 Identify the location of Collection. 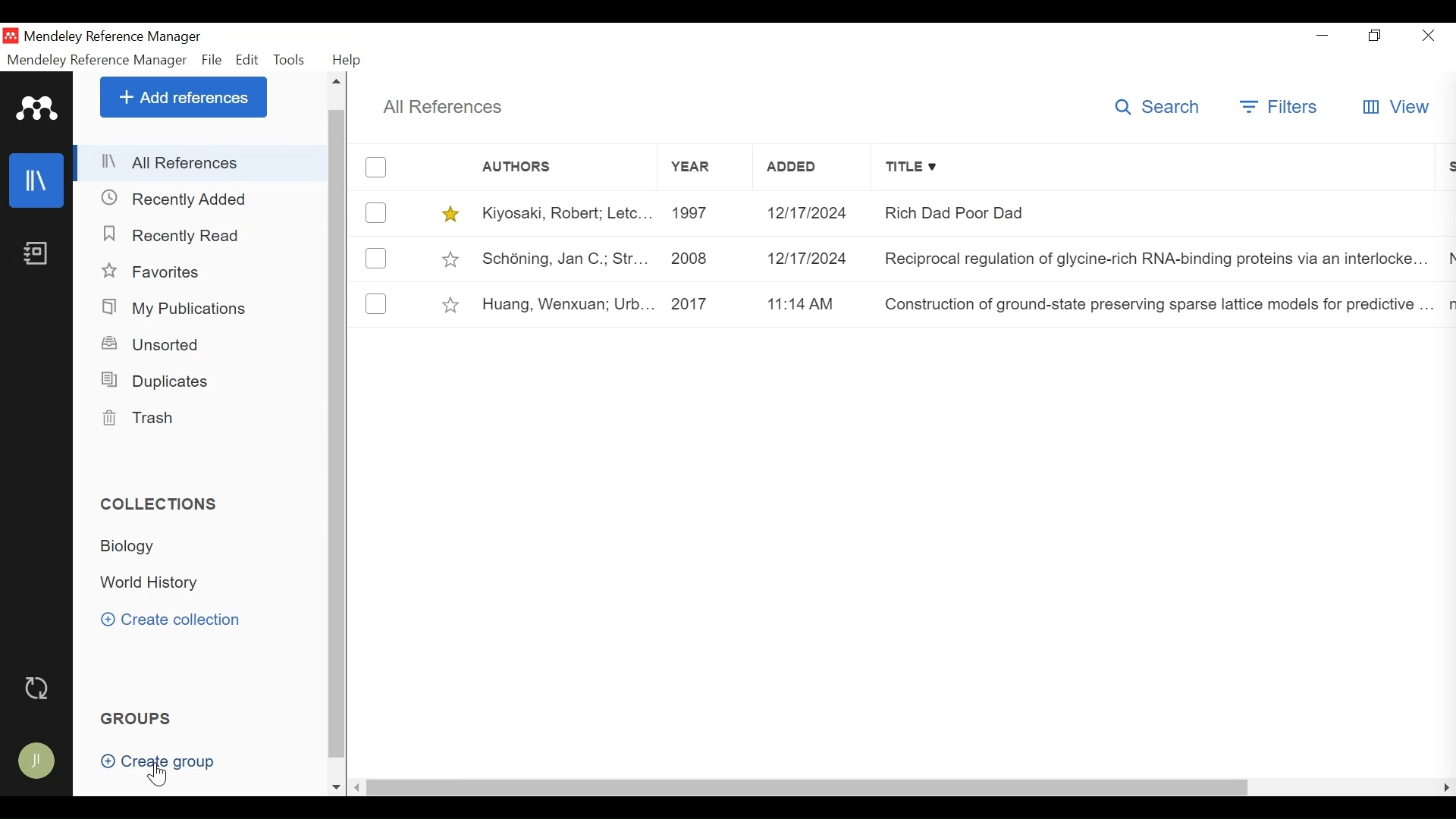
(158, 502).